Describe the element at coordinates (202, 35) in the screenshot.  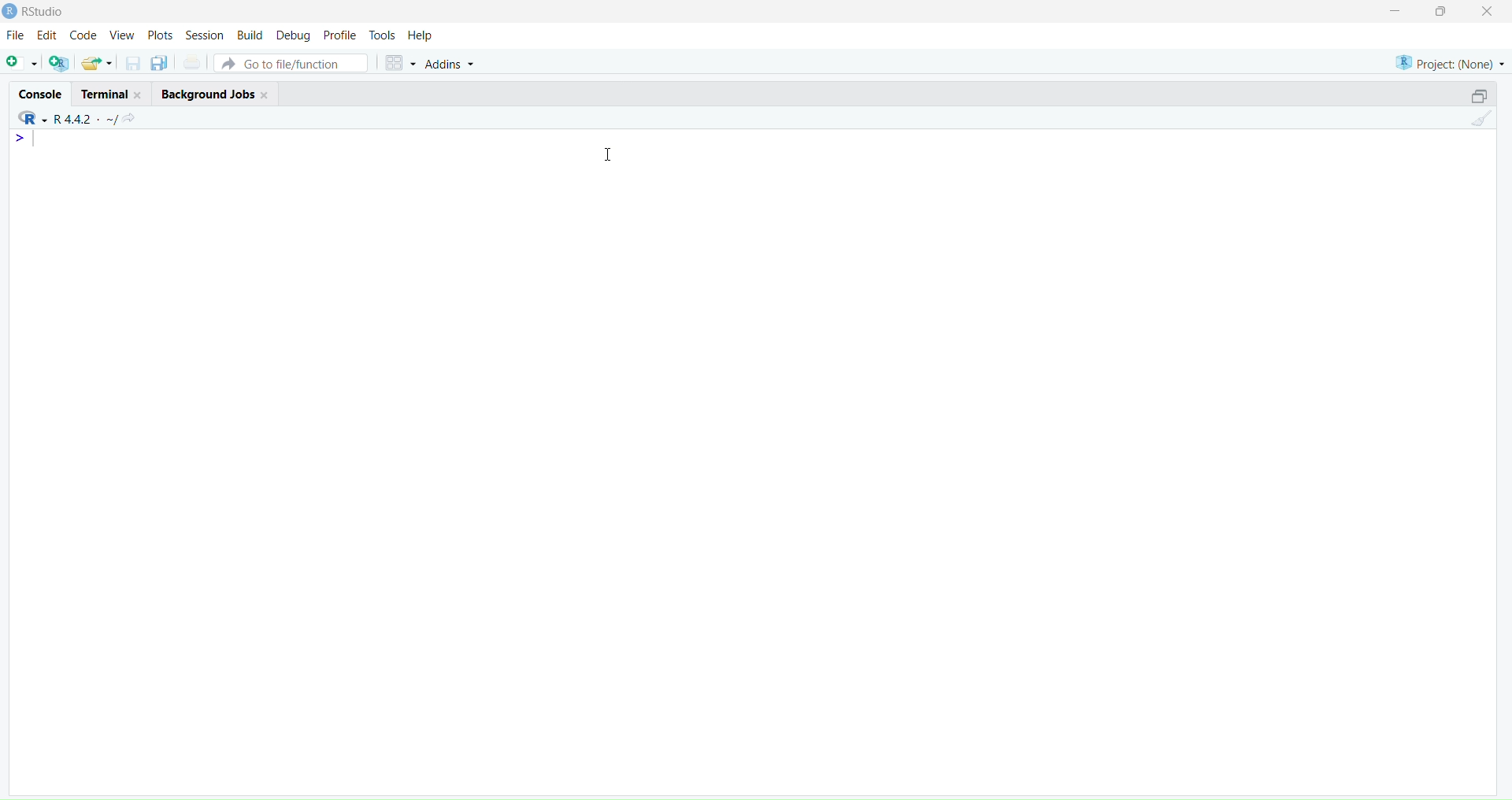
I see `Session` at that location.